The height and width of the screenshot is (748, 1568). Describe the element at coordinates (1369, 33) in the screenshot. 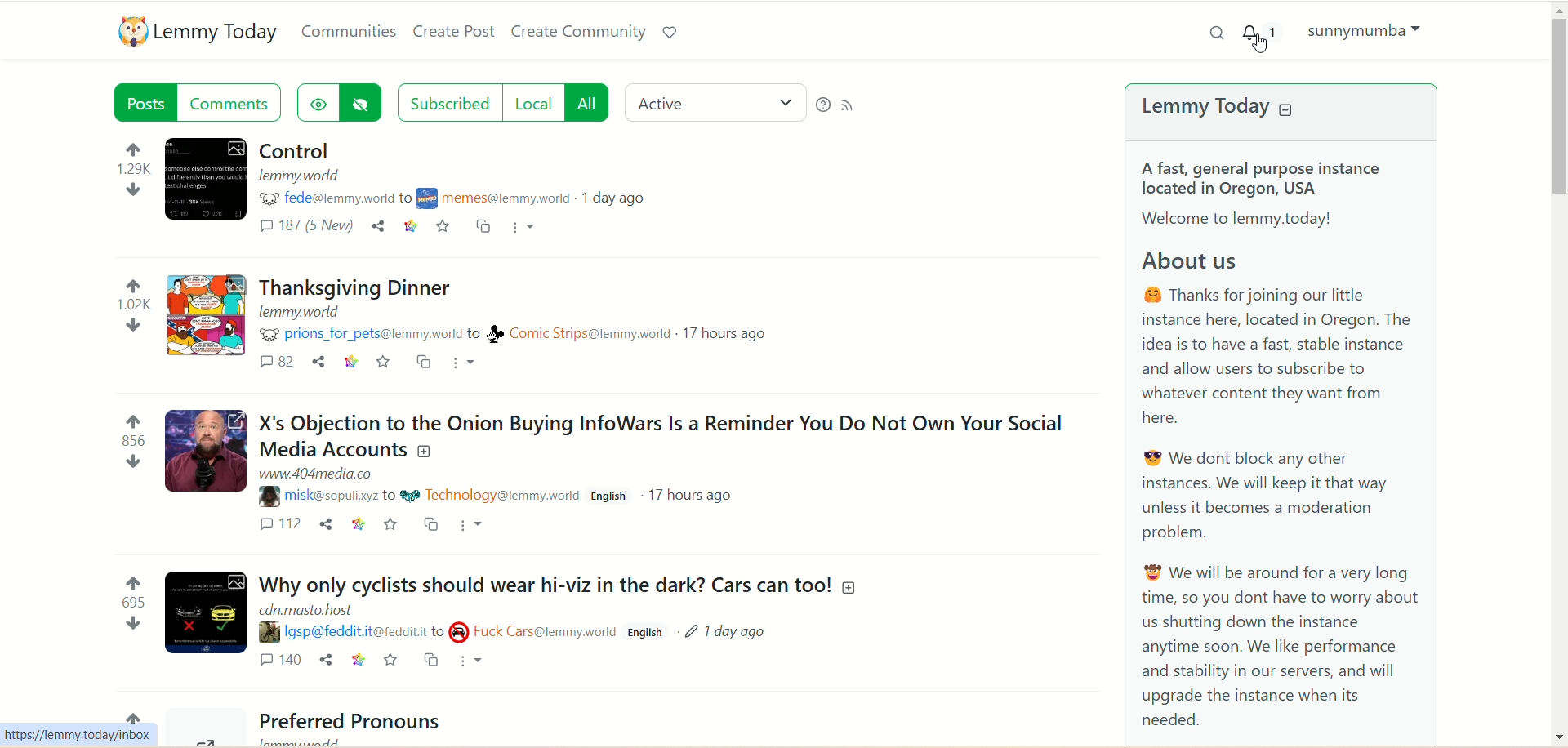

I see `sunnymumba(account)` at that location.